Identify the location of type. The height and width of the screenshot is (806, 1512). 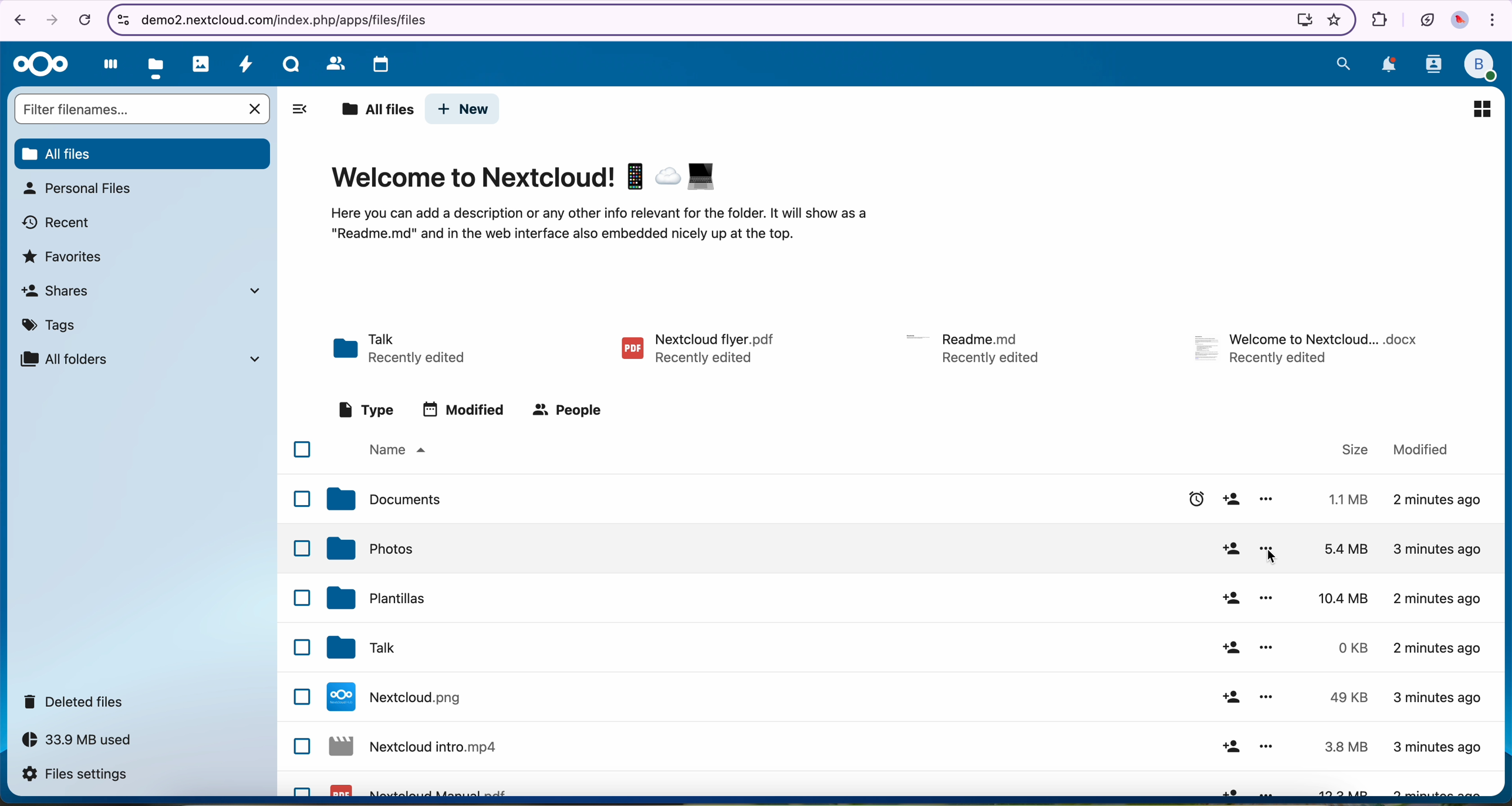
(365, 409).